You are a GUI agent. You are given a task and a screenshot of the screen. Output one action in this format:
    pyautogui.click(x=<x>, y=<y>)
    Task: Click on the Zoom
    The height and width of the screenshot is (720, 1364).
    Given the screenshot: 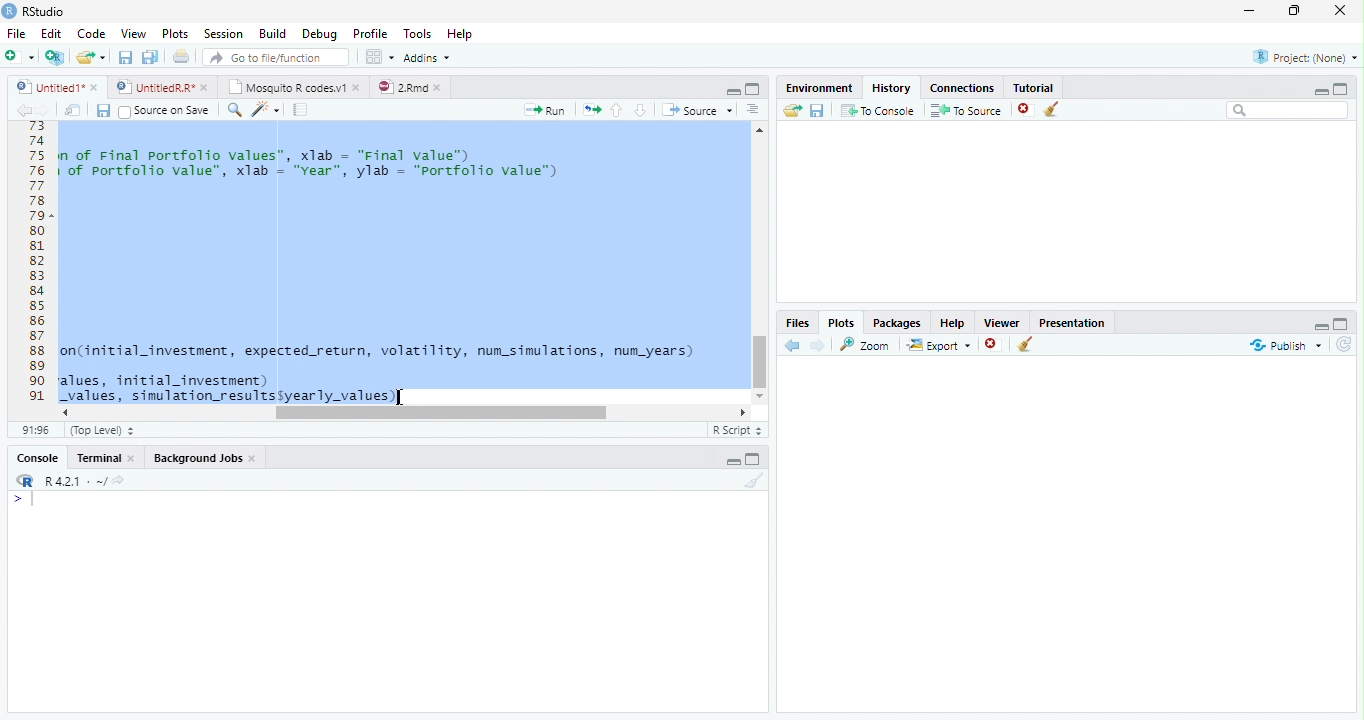 What is the action you would take?
    pyautogui.click(x=866, y=344)
    